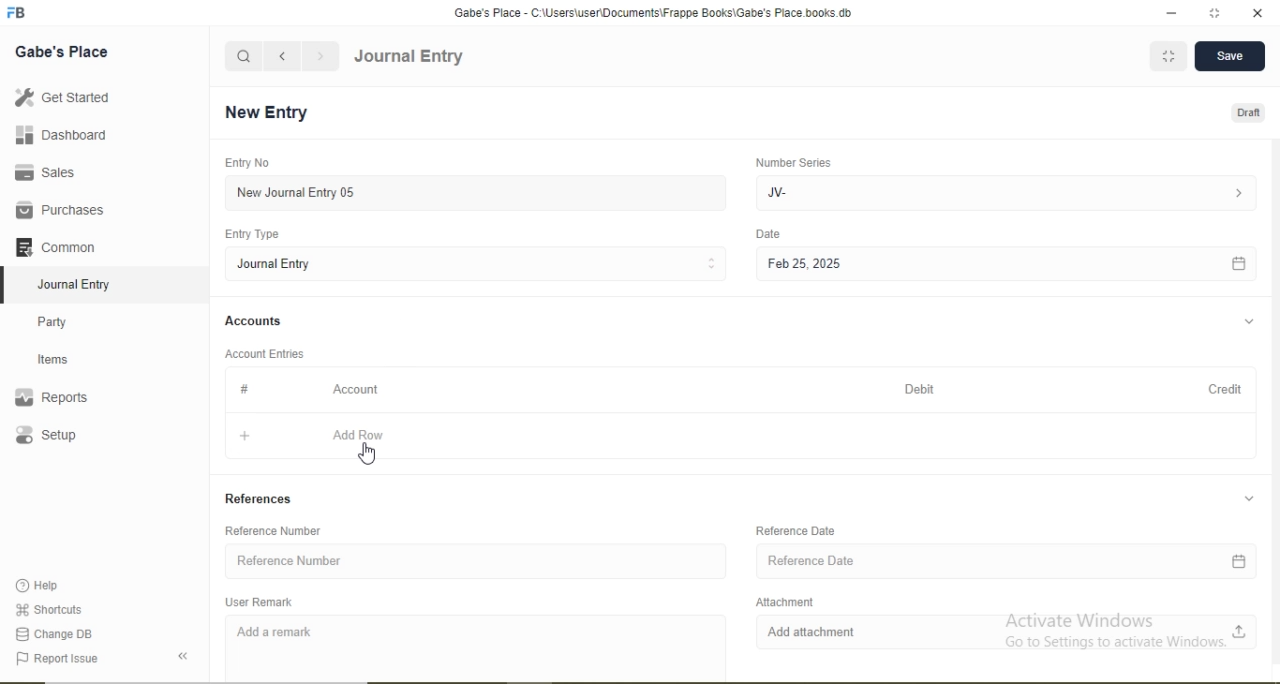 Image resolution: width=1280 pixels, height=684 pixels. I want to click on MINIMIZE WINDOW, so click(1166, 56).